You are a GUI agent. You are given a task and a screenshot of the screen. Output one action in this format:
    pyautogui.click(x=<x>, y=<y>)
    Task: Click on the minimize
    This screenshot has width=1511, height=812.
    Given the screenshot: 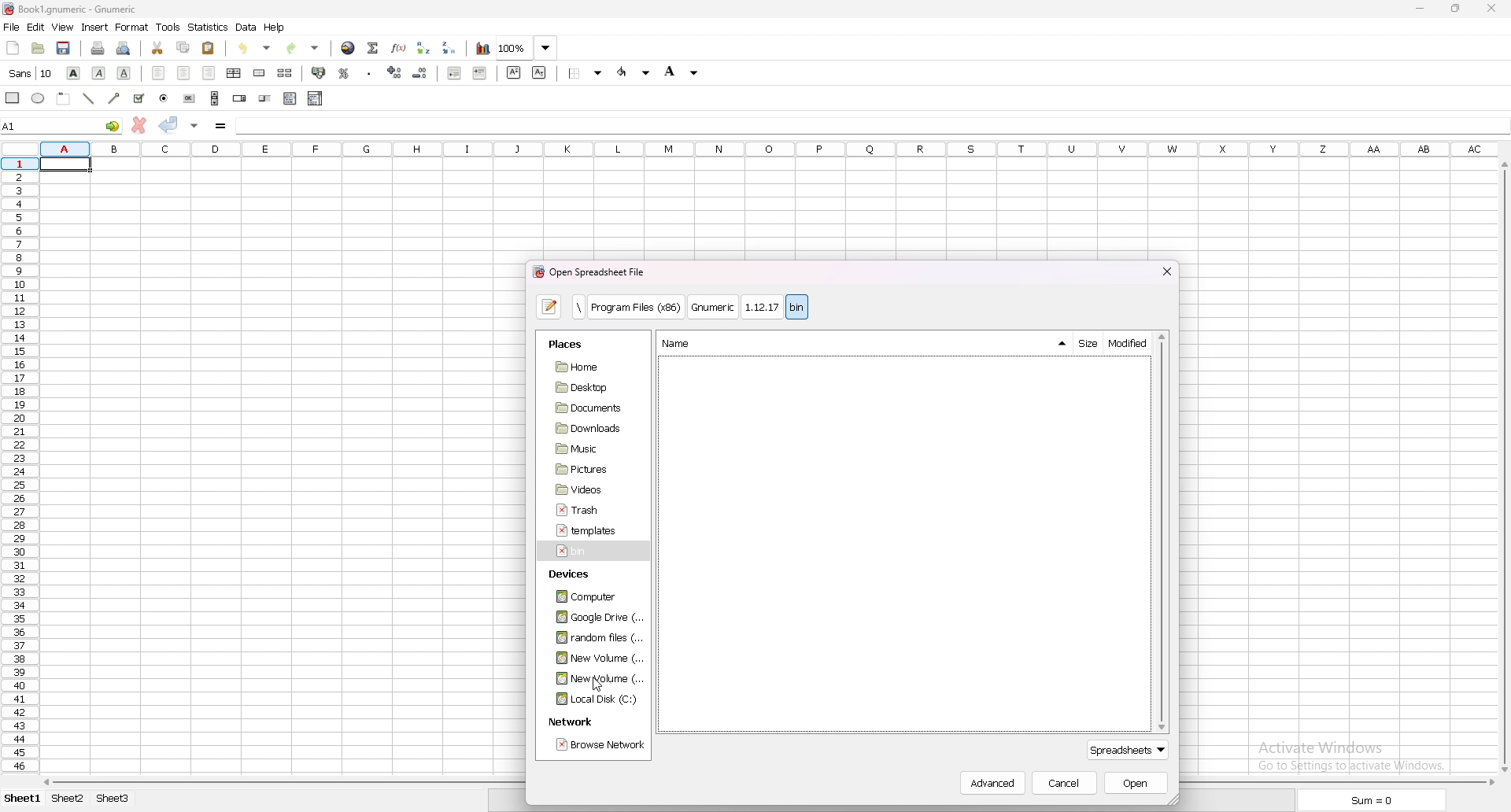 What is the action you would take?
    pyautogui.click(x=1420, y=8)
    